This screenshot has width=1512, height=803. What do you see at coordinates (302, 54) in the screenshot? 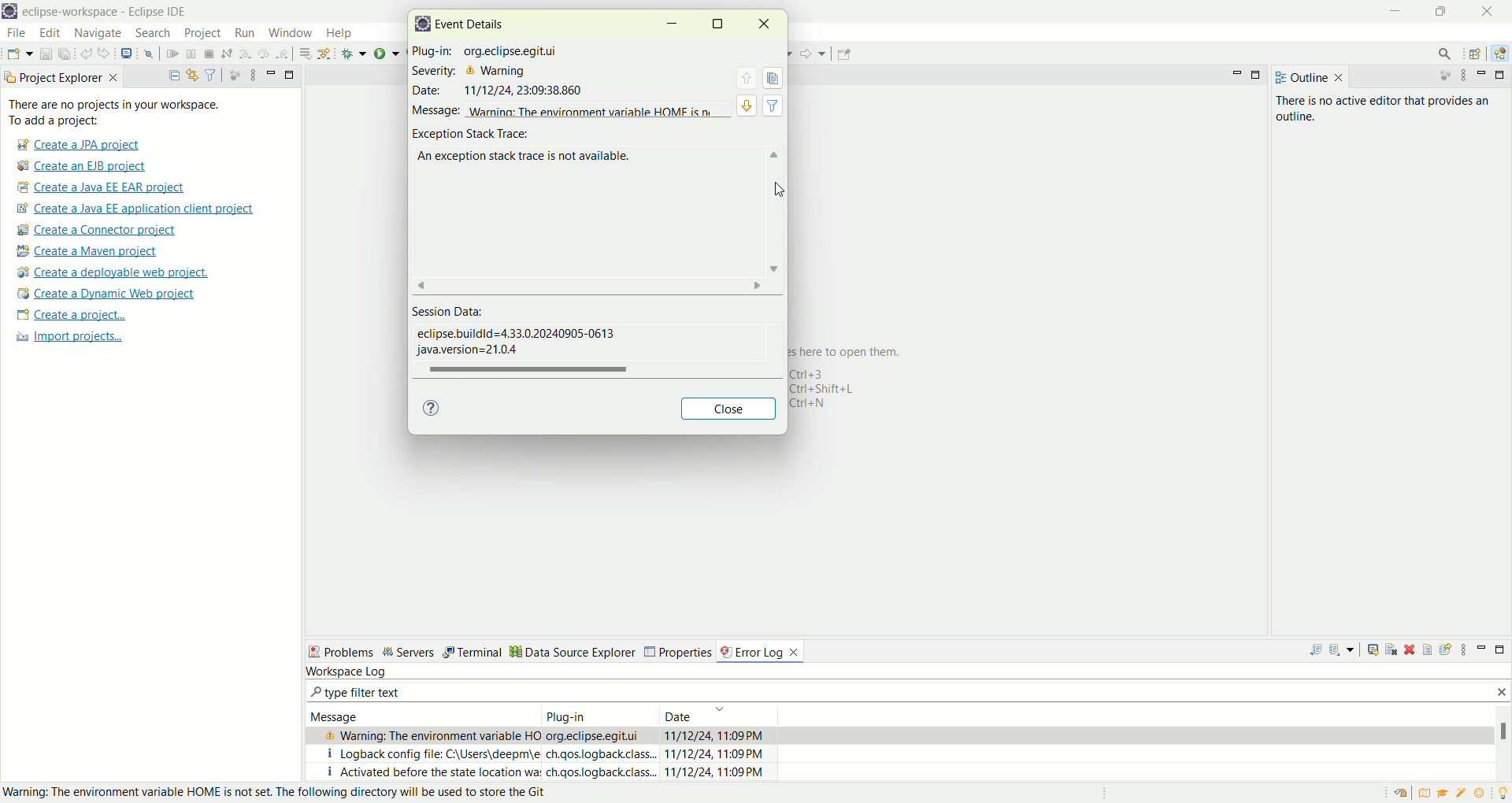
I see `drop to frame` at bounding box center [302, 54].